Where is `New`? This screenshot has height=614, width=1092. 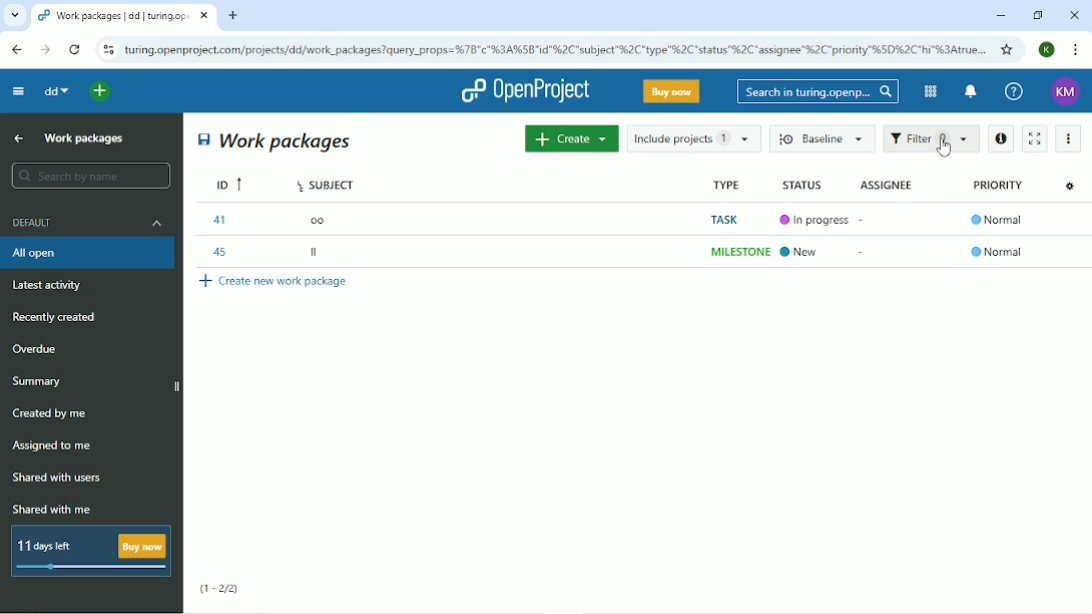 New is located at coordinates (805, 253).